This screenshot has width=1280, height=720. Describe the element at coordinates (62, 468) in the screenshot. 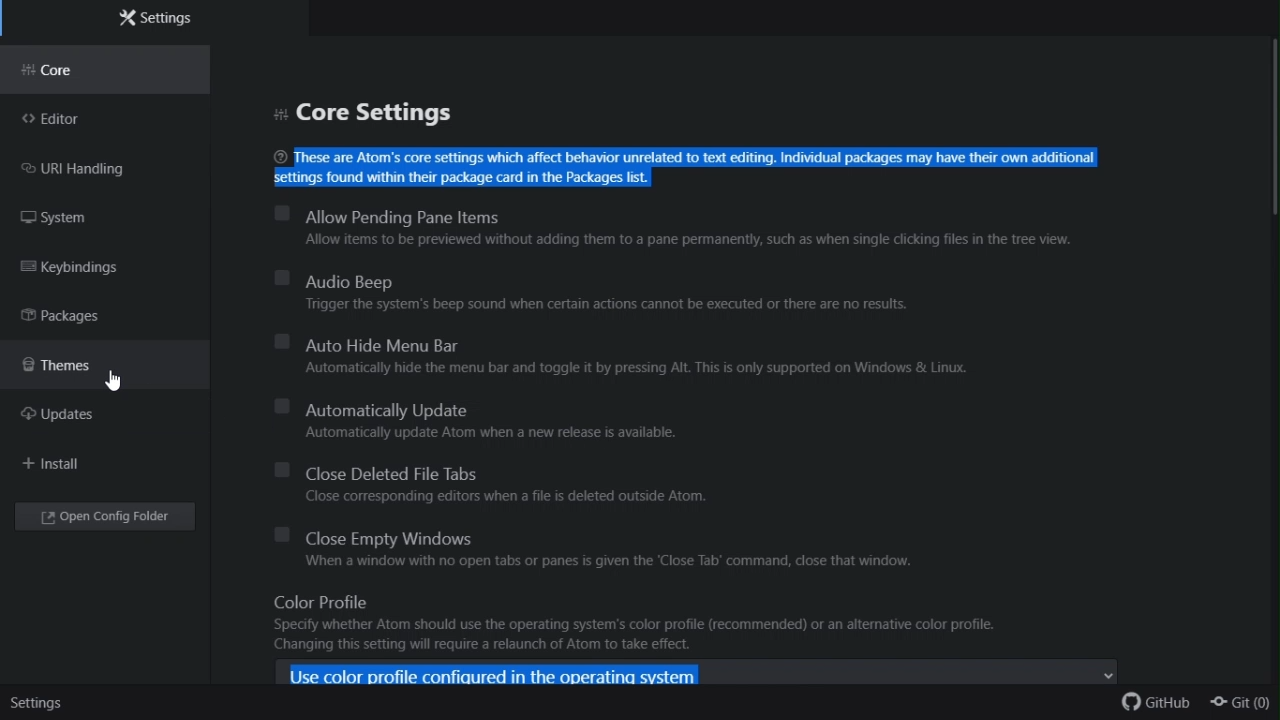

I see `Install` at that location.